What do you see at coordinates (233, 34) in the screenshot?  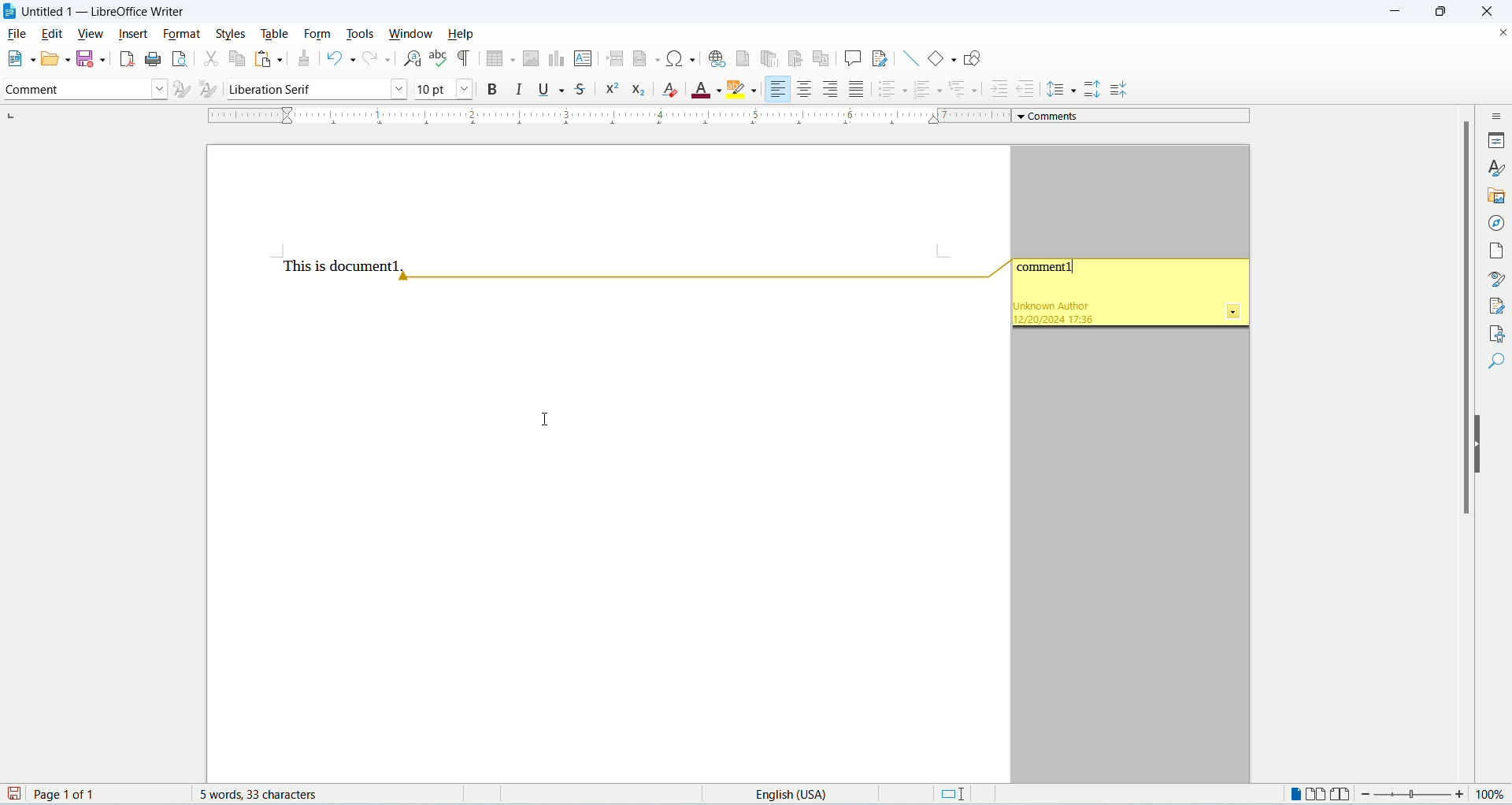 I see `styles` at bounding box center [233, 34].